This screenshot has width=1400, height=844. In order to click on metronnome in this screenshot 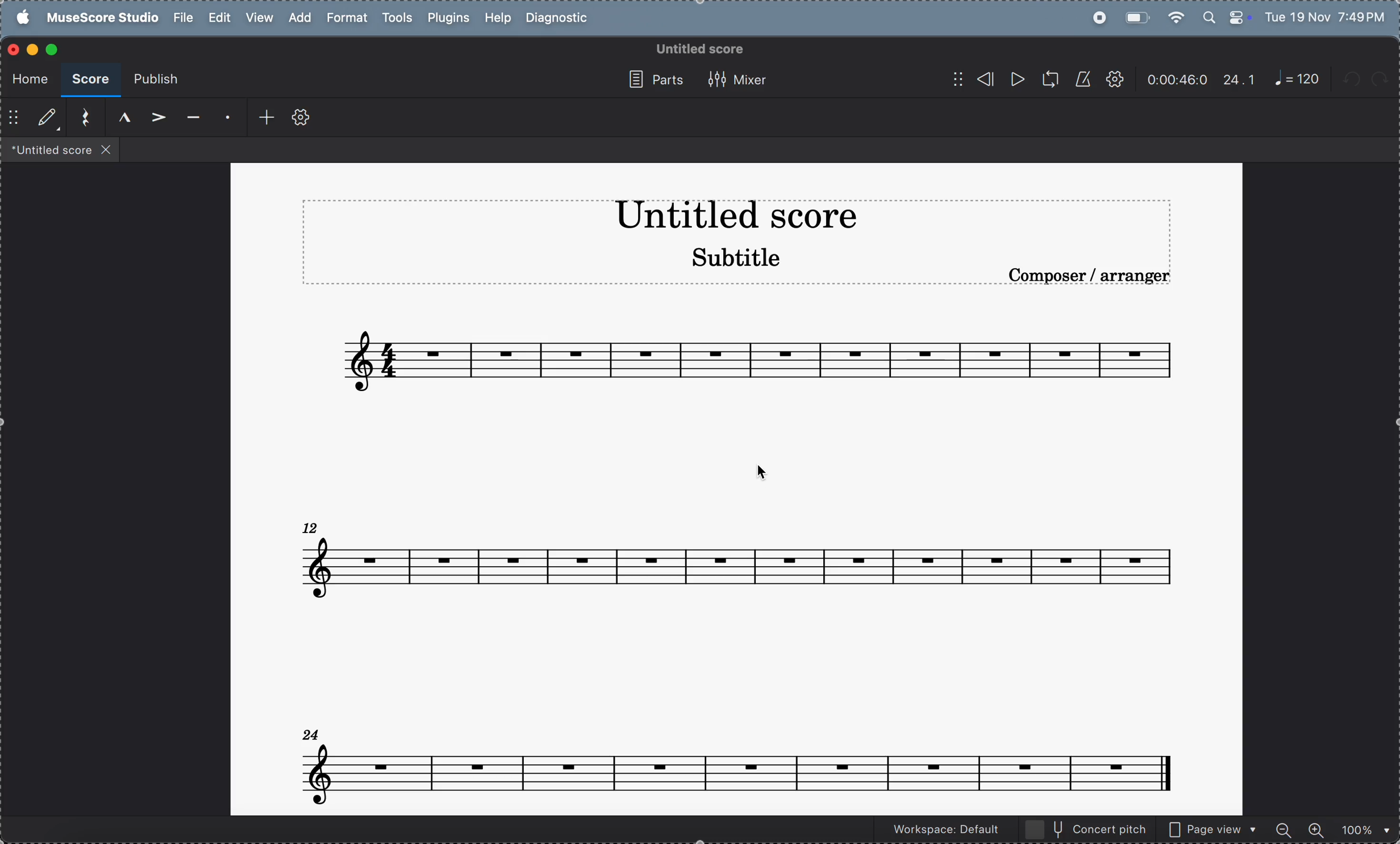, I will do `click(1081, 79)`.